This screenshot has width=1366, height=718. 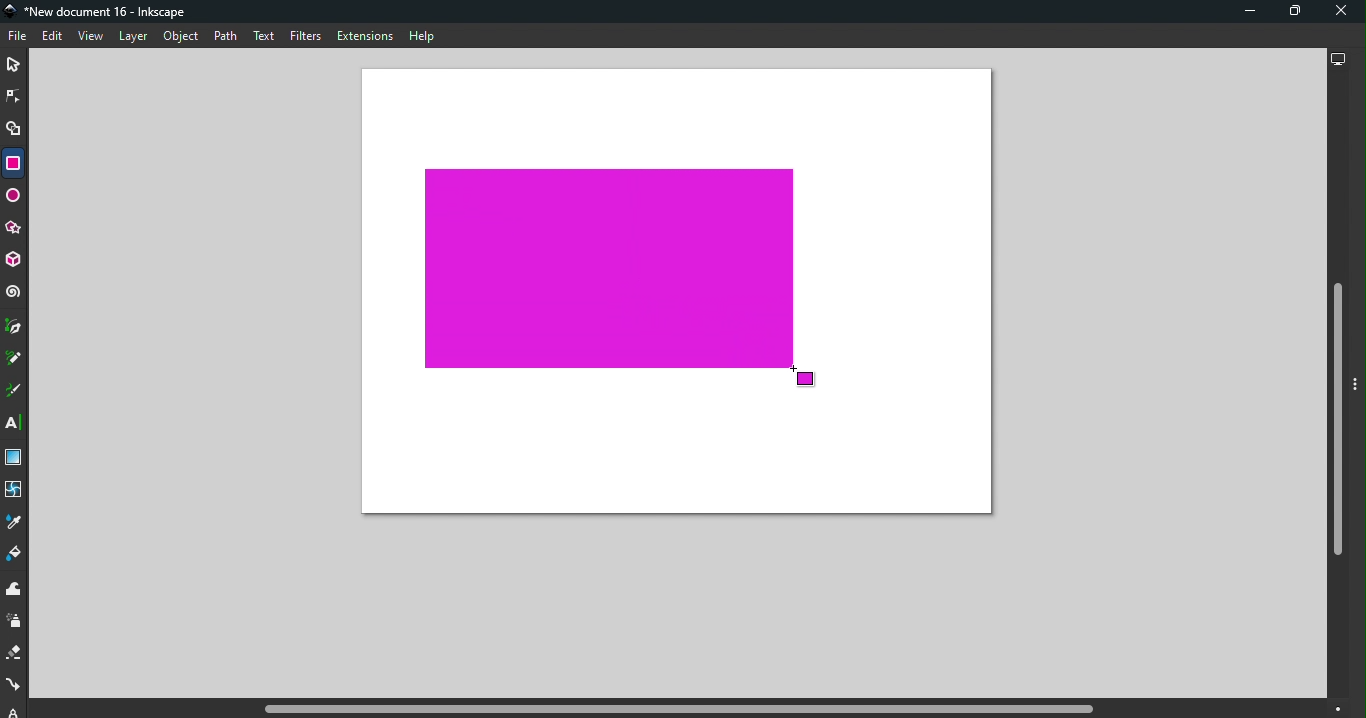 I want to click on Calligraphy tool, so click(x=15, y=391).